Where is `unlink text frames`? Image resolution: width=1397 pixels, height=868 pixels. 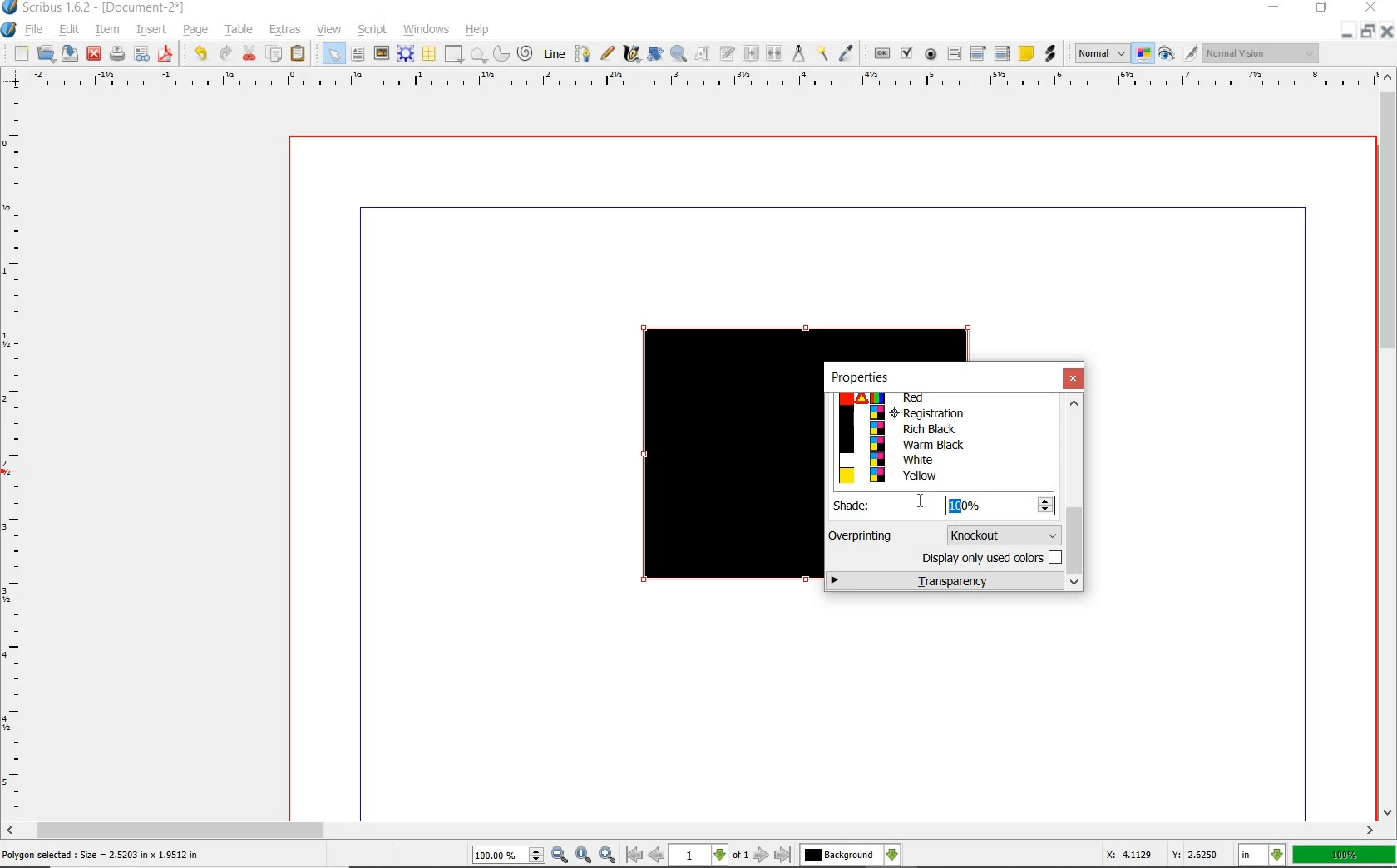
unlink text frames is located at coordinates (775, 55).